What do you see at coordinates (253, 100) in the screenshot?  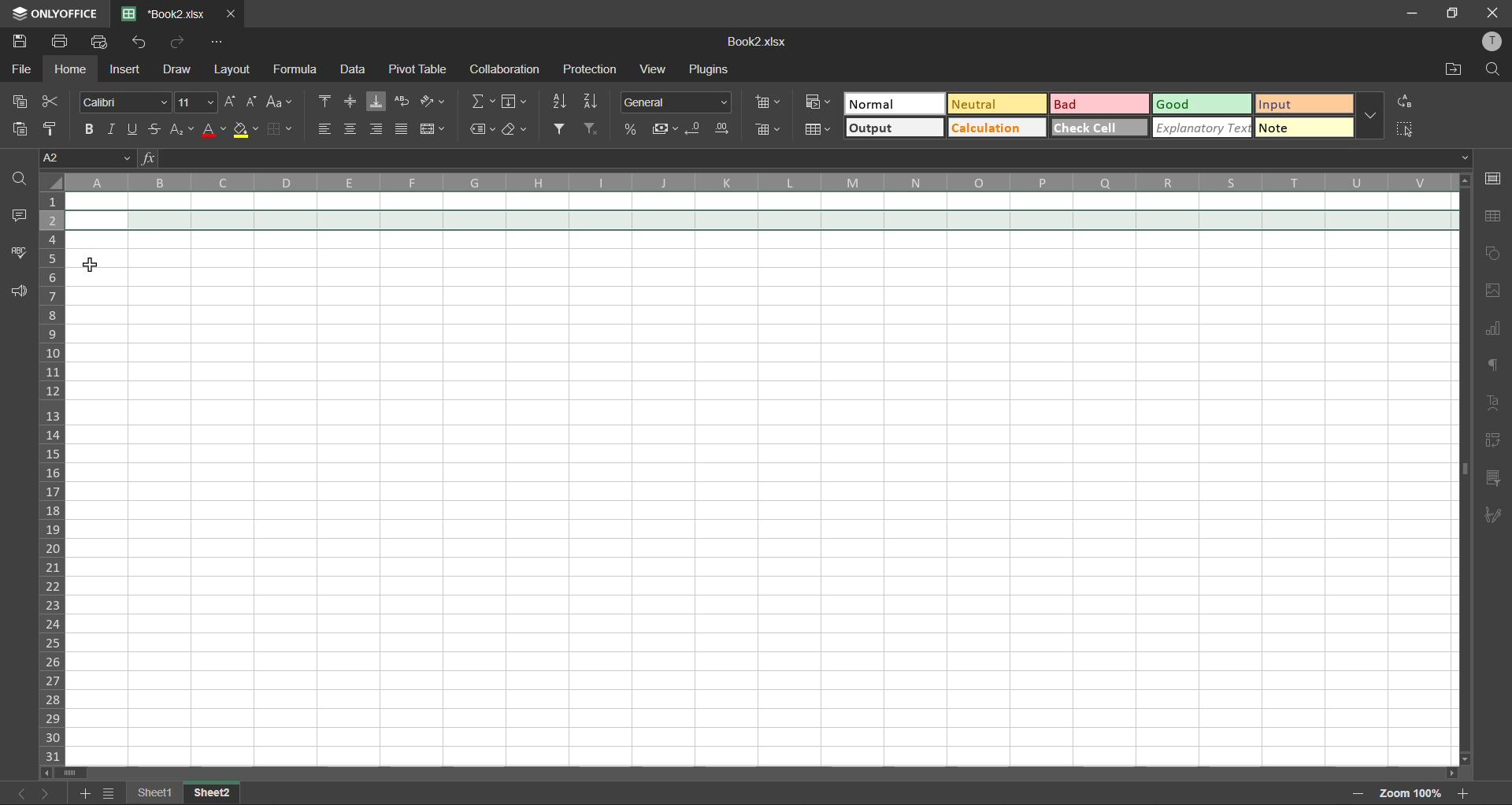 I see `decrement size` at bounding box center [253, 100].